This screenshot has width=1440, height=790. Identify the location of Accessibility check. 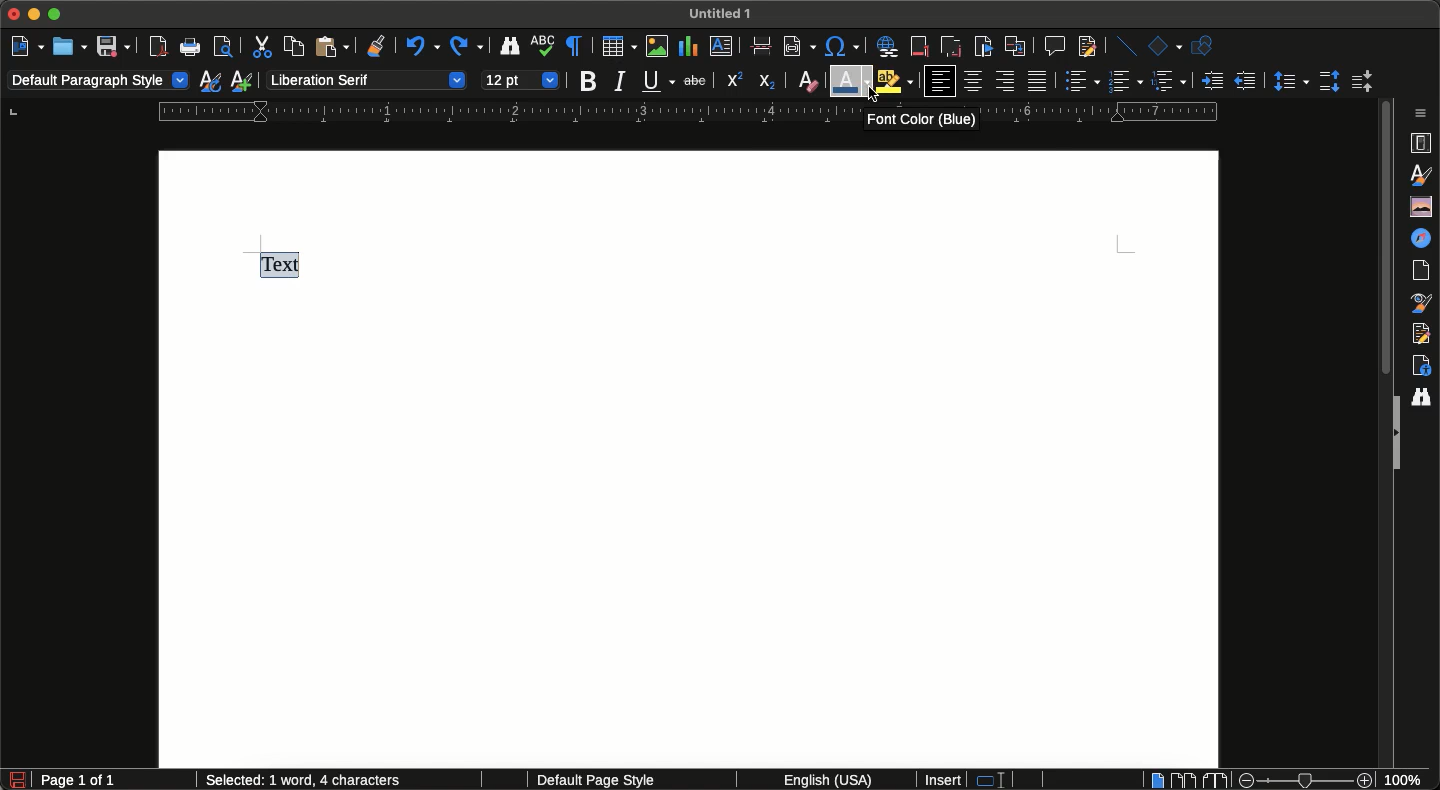
(1421, 365).